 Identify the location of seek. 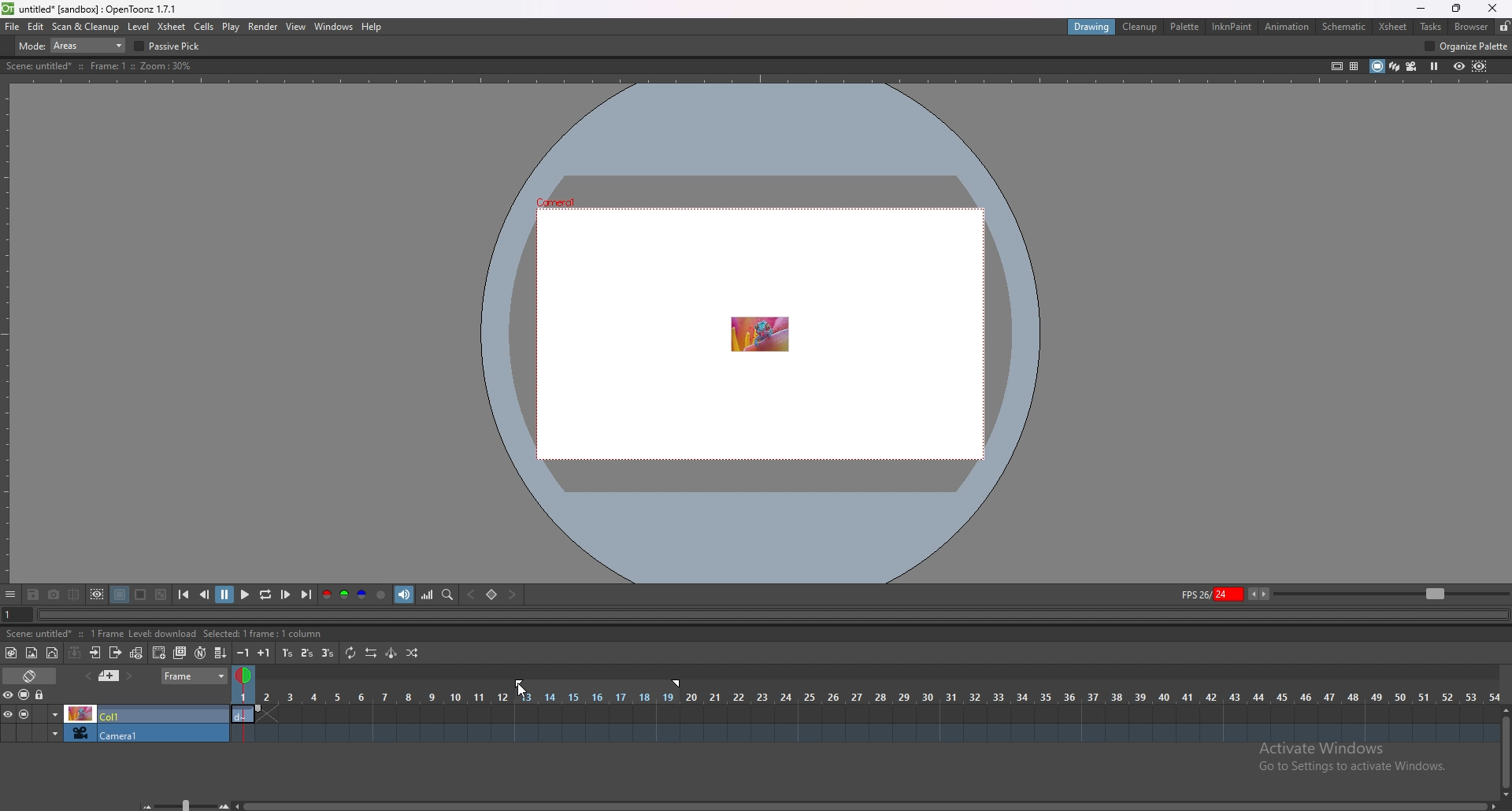
(770, 616).